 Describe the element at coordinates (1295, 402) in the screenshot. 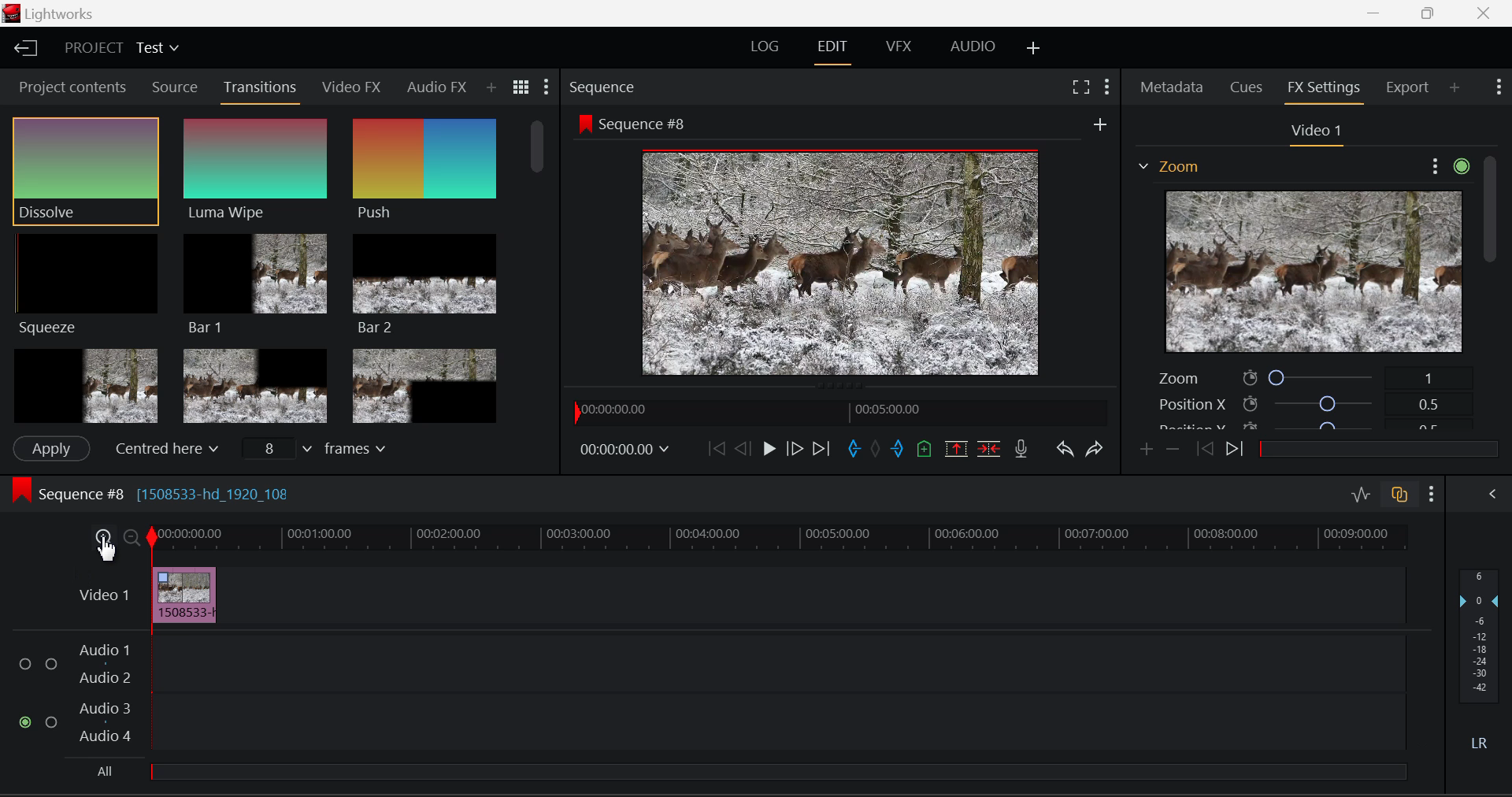

I see `Position X` at that location.